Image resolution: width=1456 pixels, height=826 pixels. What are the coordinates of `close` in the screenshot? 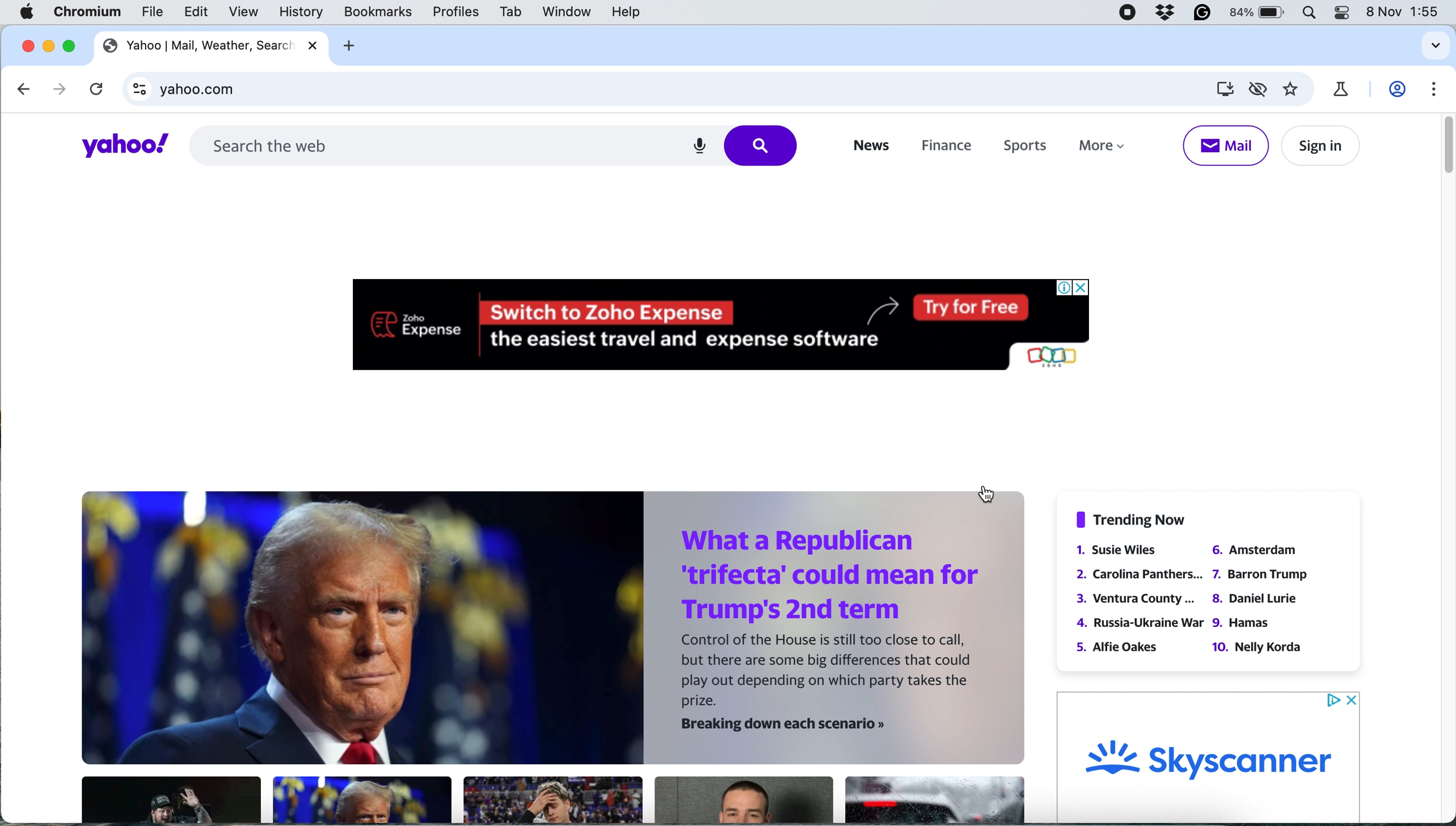 It's located at (26, 45).